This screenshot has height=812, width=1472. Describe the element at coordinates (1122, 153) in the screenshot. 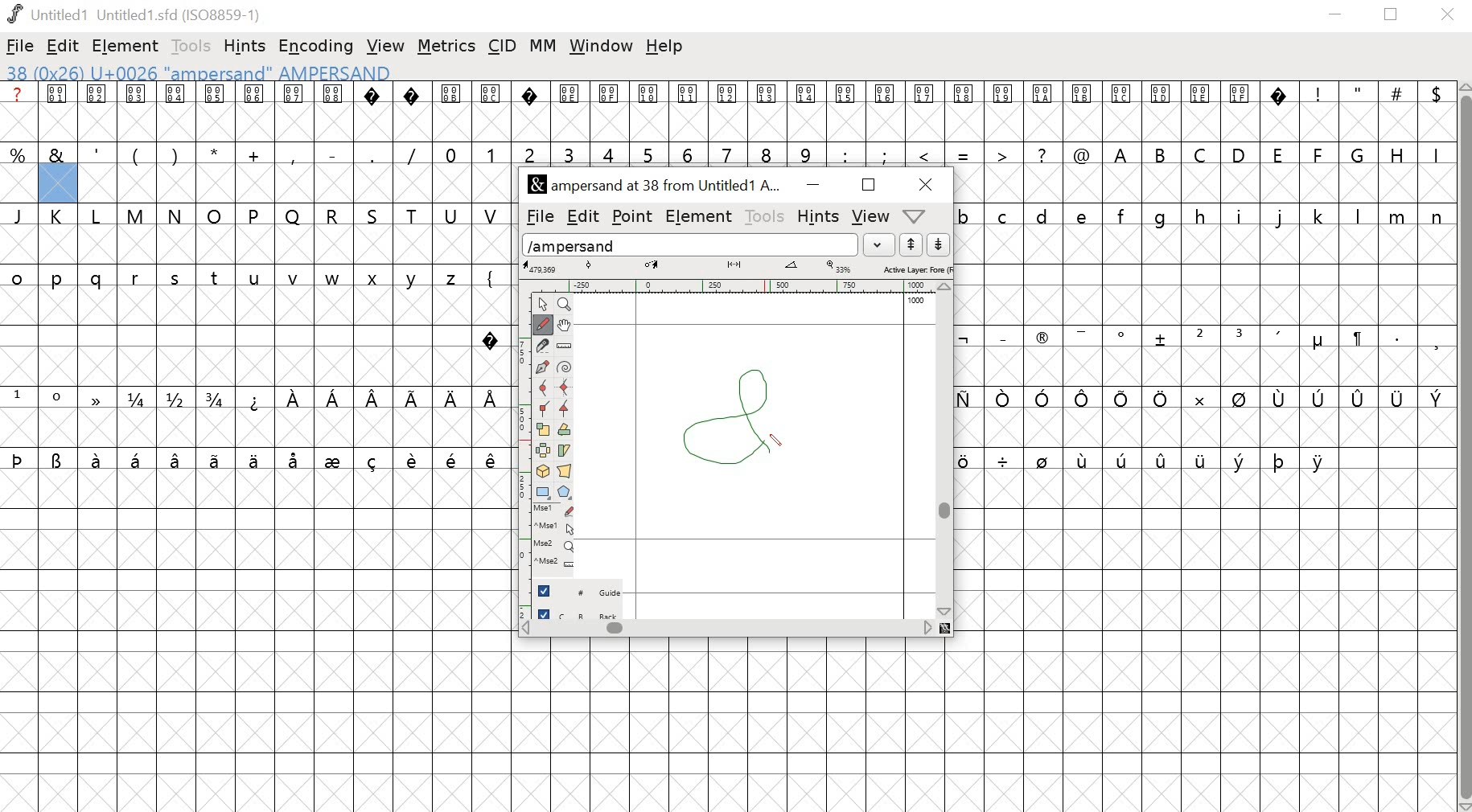

I see `A` at that location.